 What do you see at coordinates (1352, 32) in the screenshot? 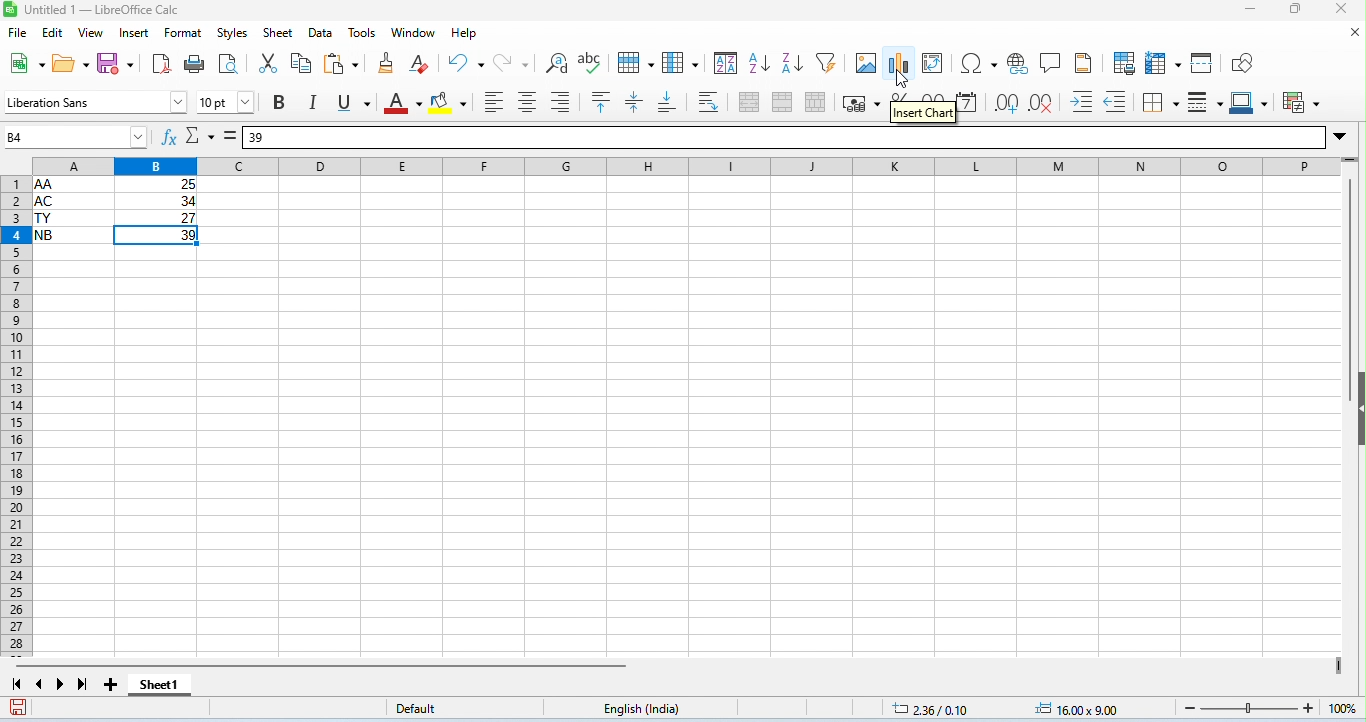
I see `close` at bounding box center [1352, 32].